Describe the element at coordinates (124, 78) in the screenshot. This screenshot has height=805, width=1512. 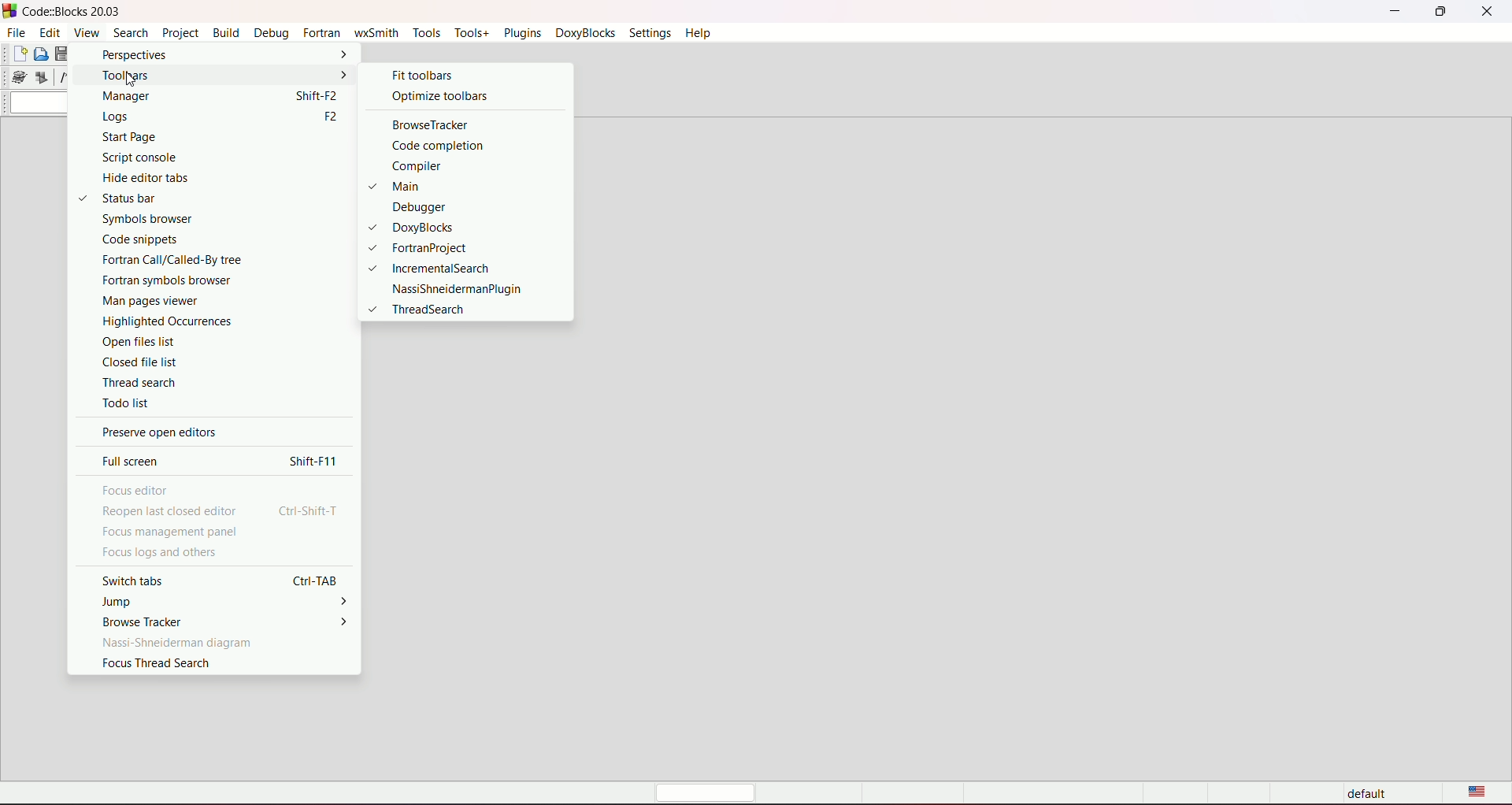
I see `cursor` at that location.